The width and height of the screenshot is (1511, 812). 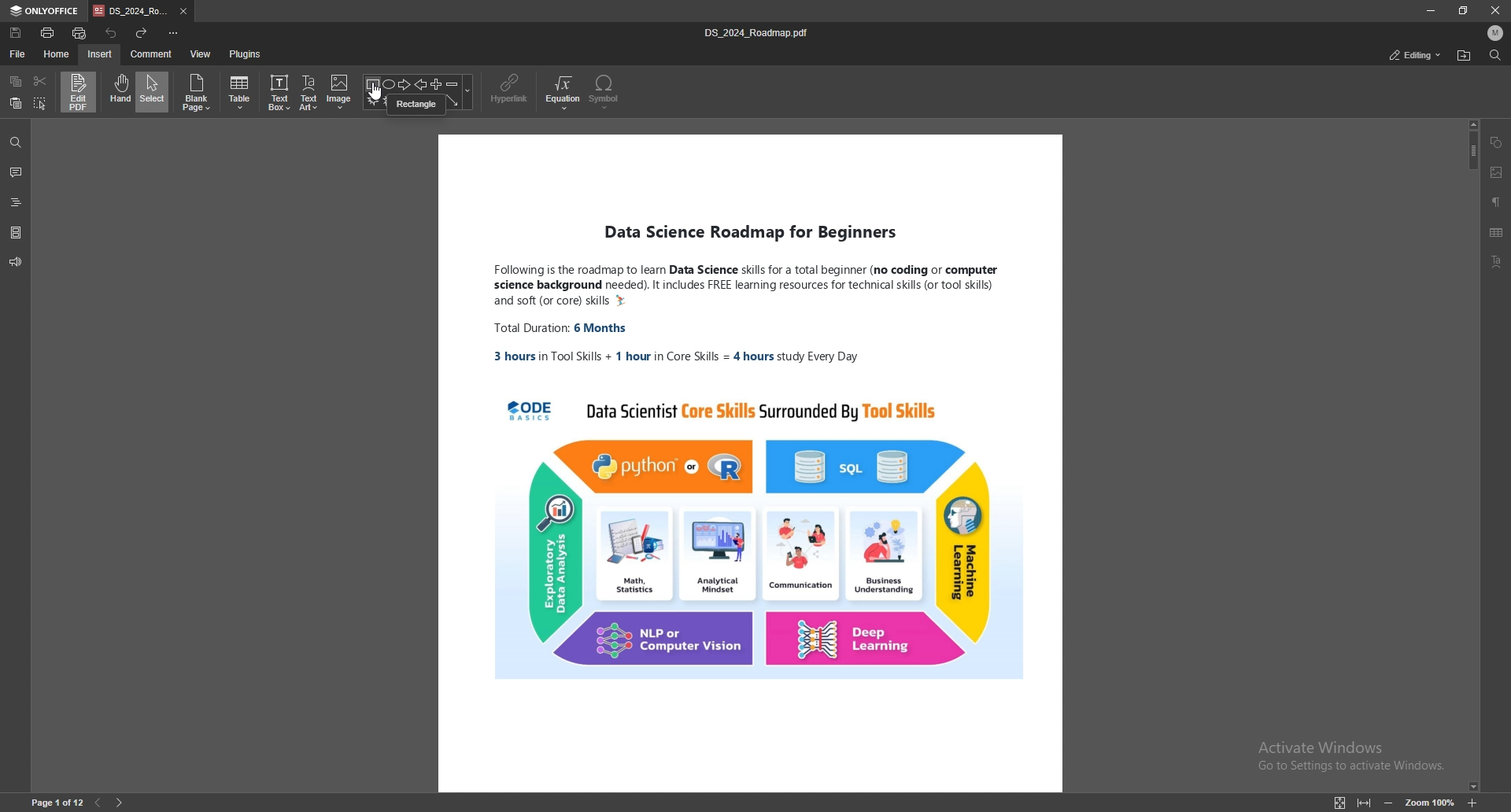 I want to click on minimize, so click(x=1429, y=10).